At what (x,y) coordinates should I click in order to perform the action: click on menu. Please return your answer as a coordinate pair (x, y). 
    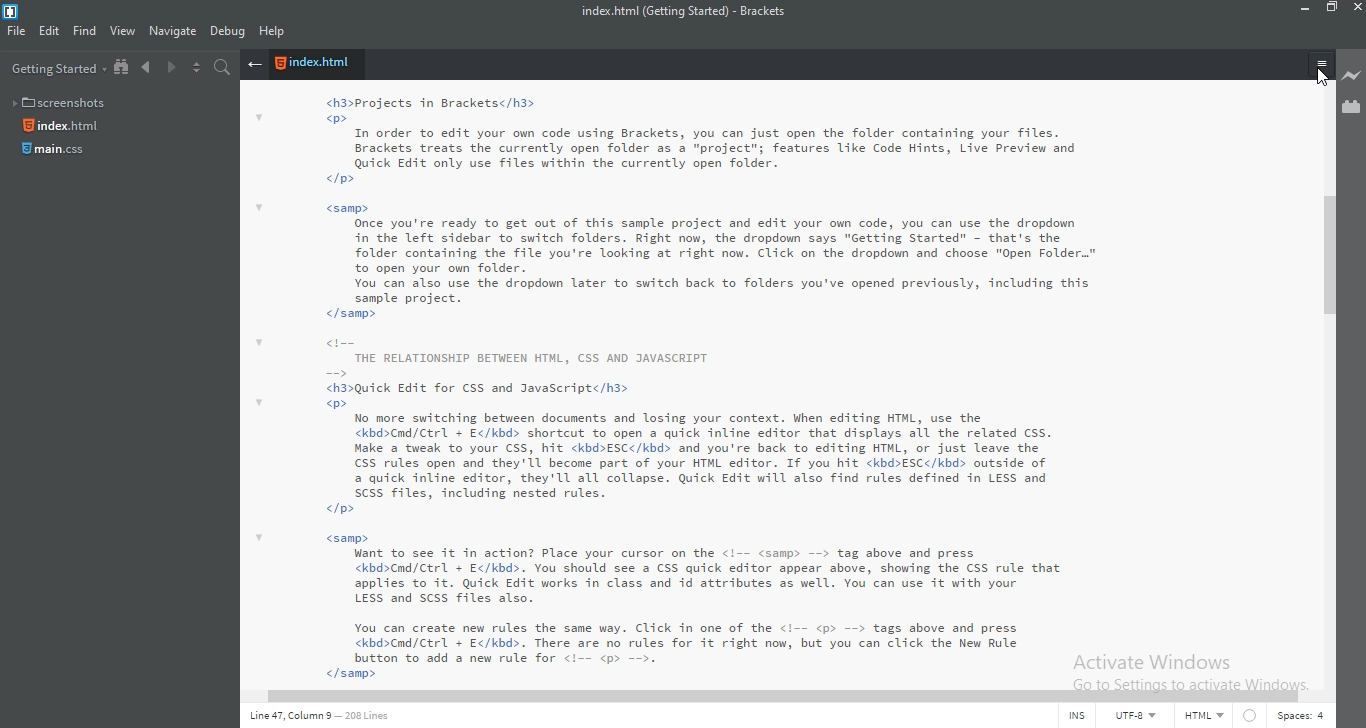
    Looking at the image, I should click on (1321, 66).